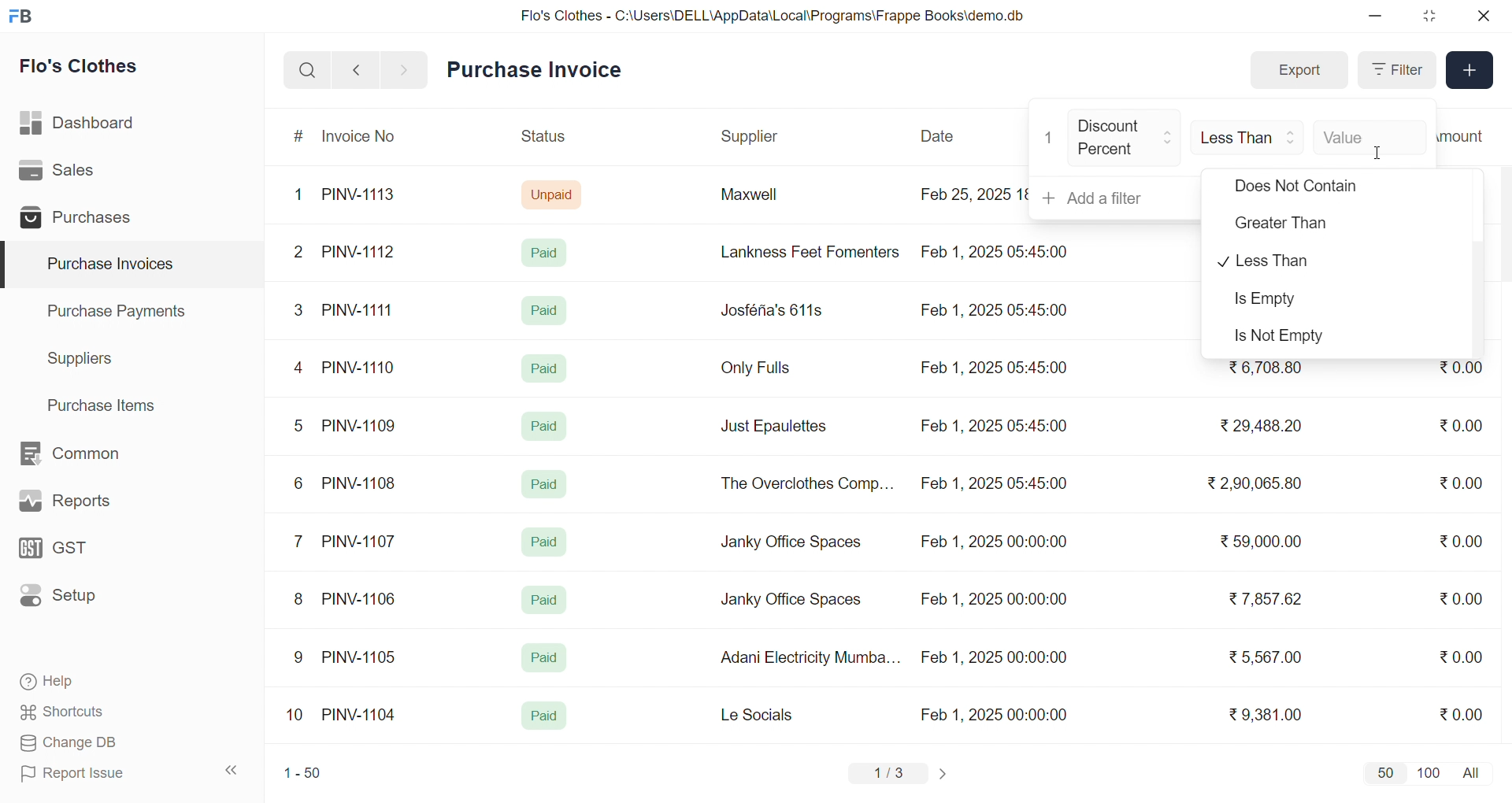  Describe the element at coordinates (298, 483) in the screenshot. I see `6` at that location.